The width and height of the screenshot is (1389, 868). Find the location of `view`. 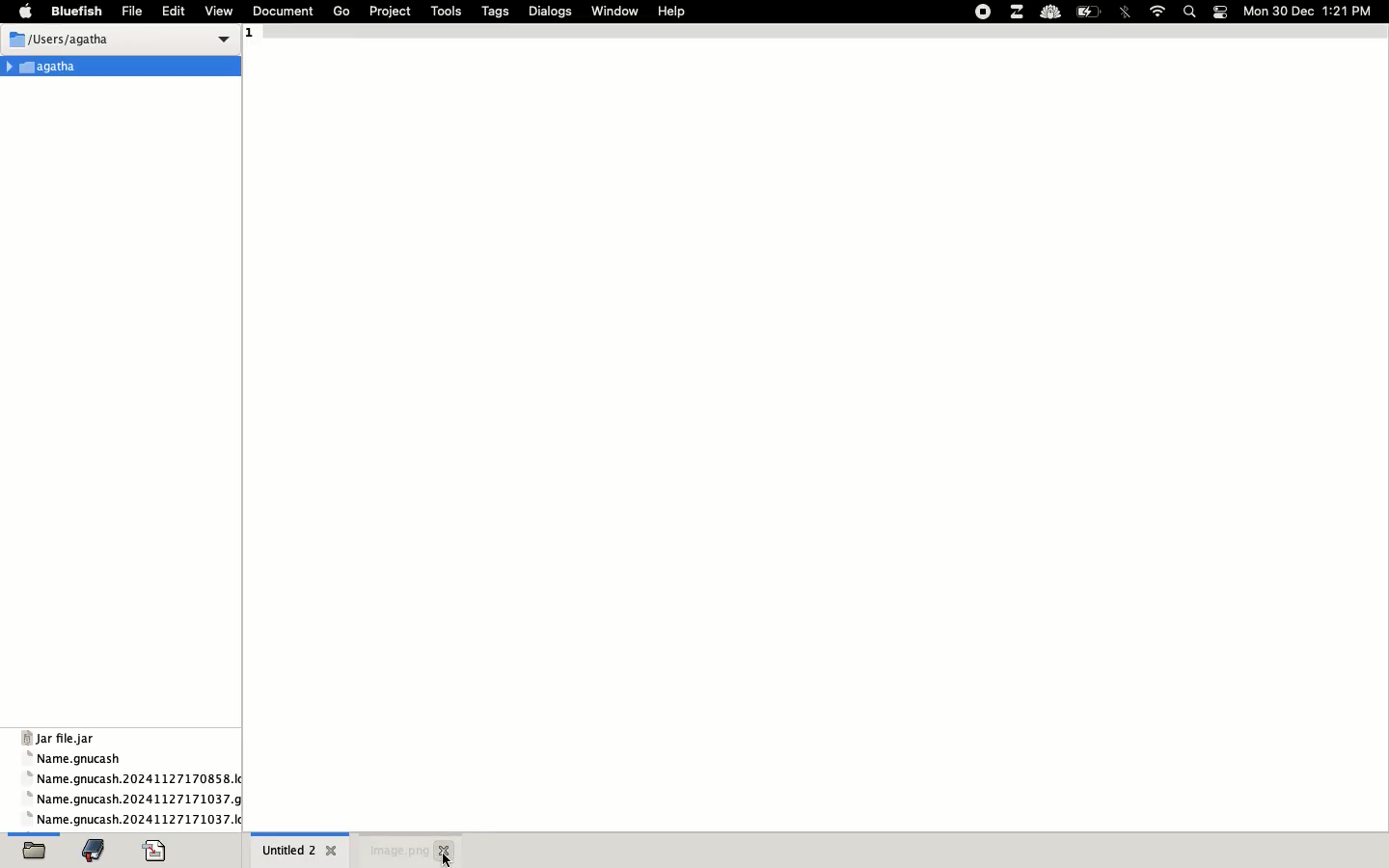

view is located at coordinates (221, 13).